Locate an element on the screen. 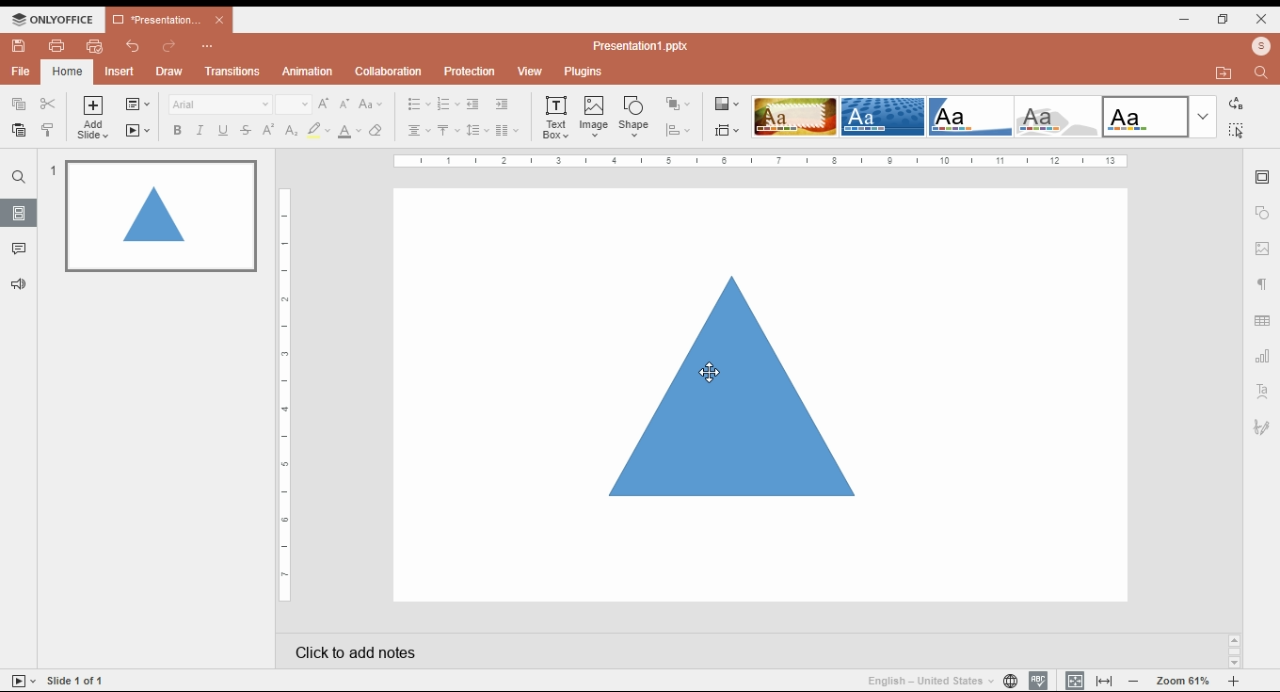  slide setting is located at coordinates (1261, 178).